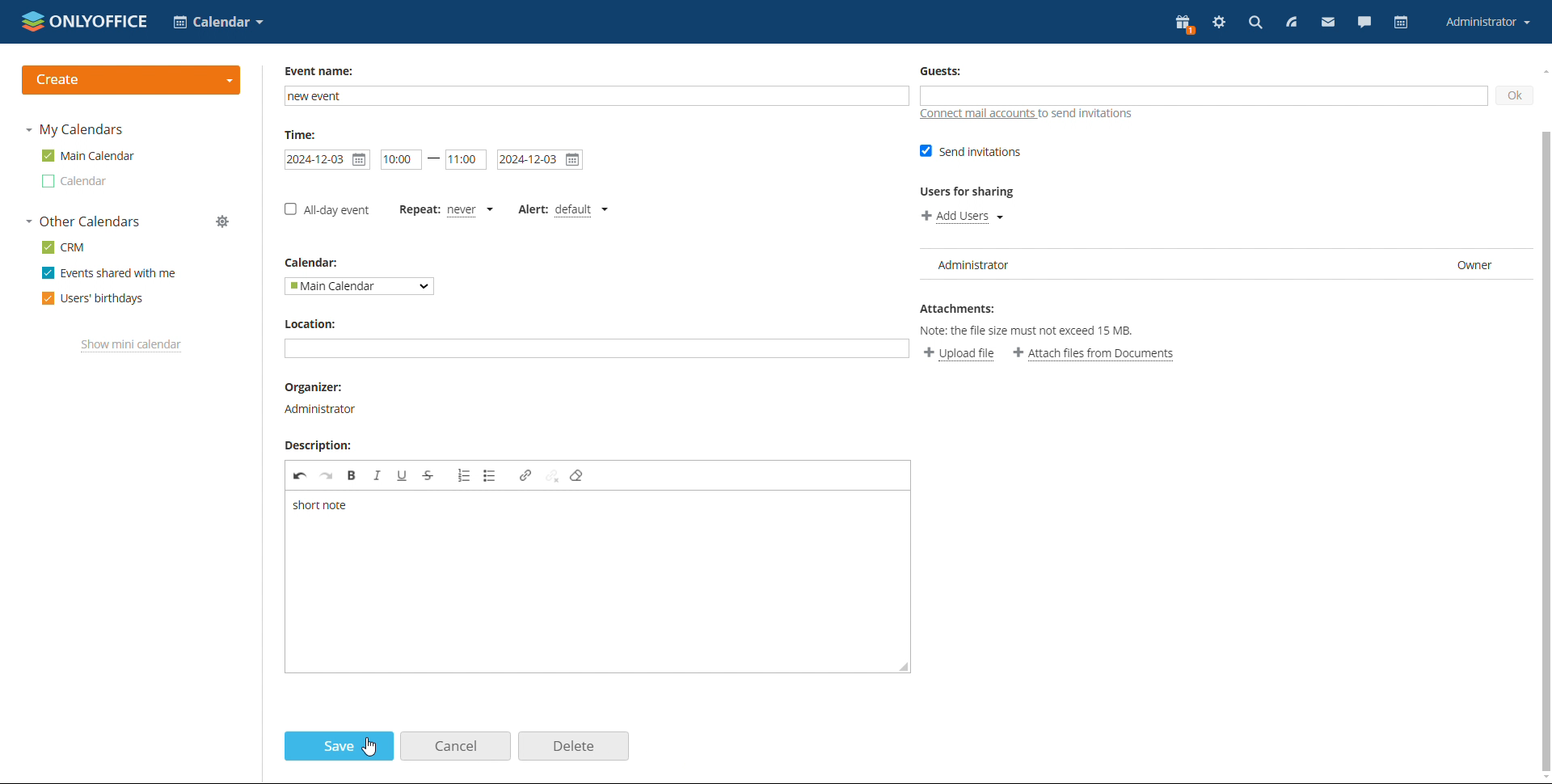 Image resolution: width=1552 pixels, height=784 pixels. I want to click on Time:, so click(305, 133).